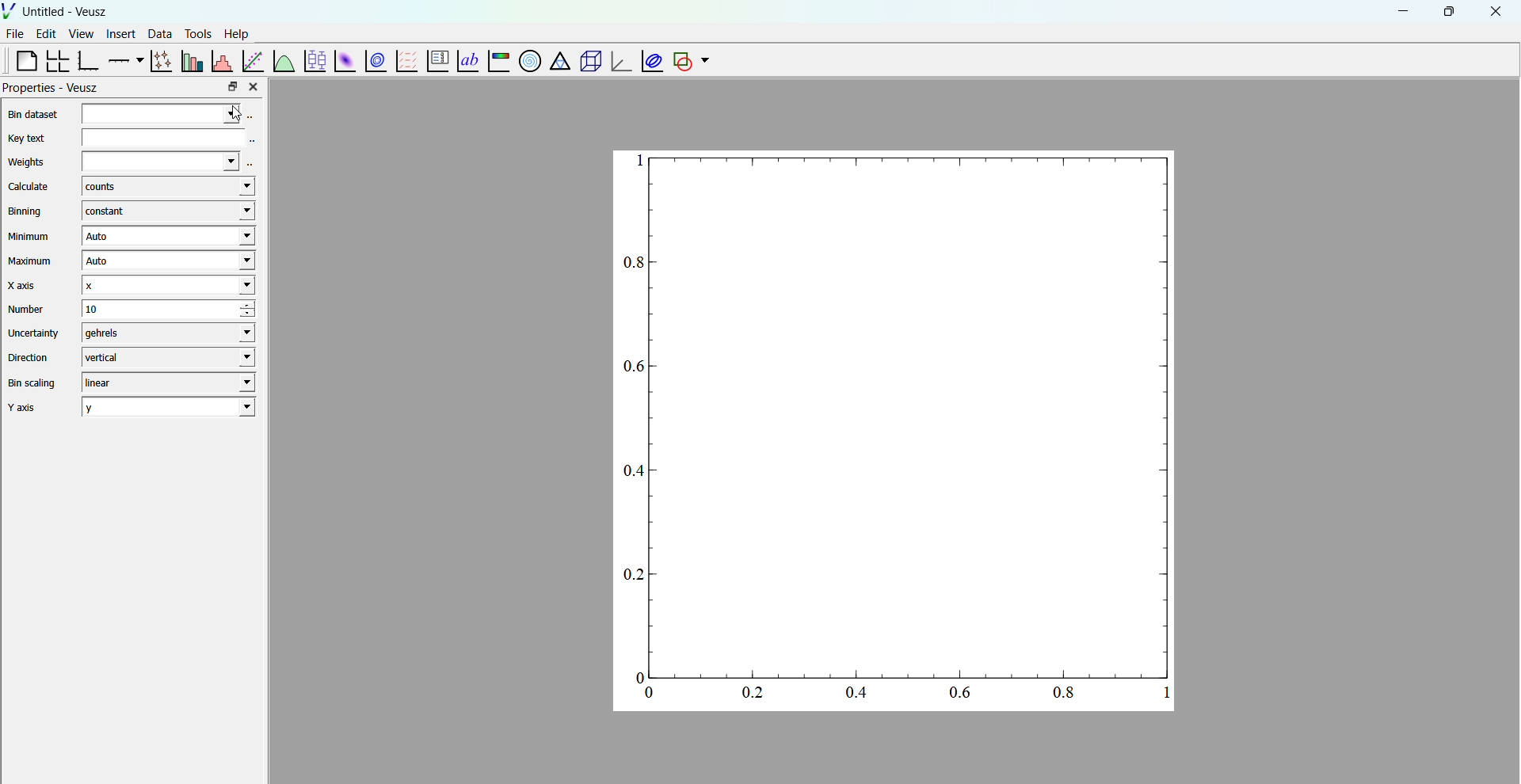  What do you see at coordinates (170, 188) in the screenshot?
I see `counts` at bounding box center [170, 188].